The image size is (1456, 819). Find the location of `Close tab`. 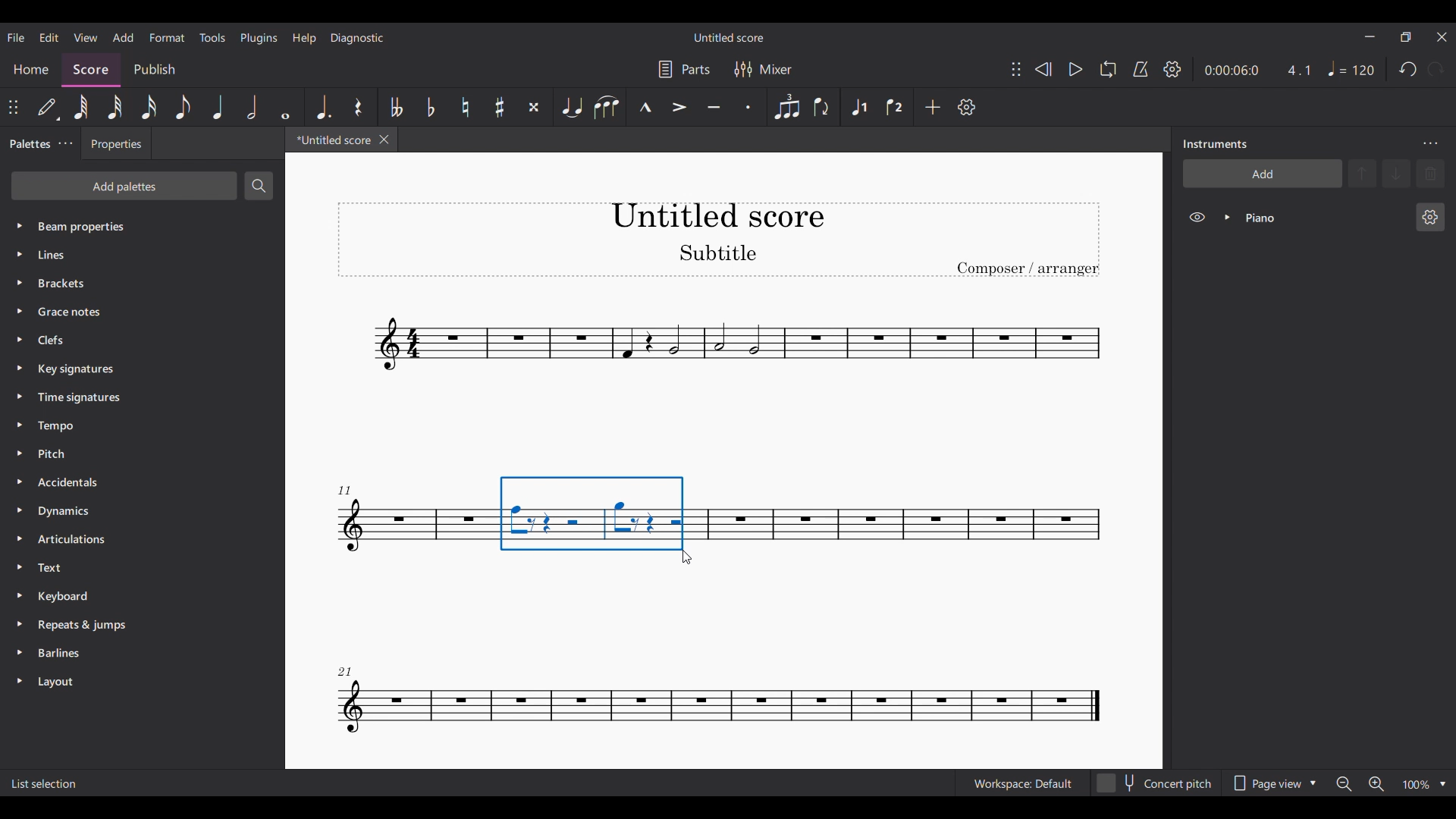

Close tab is located at coordinates (384, 140).